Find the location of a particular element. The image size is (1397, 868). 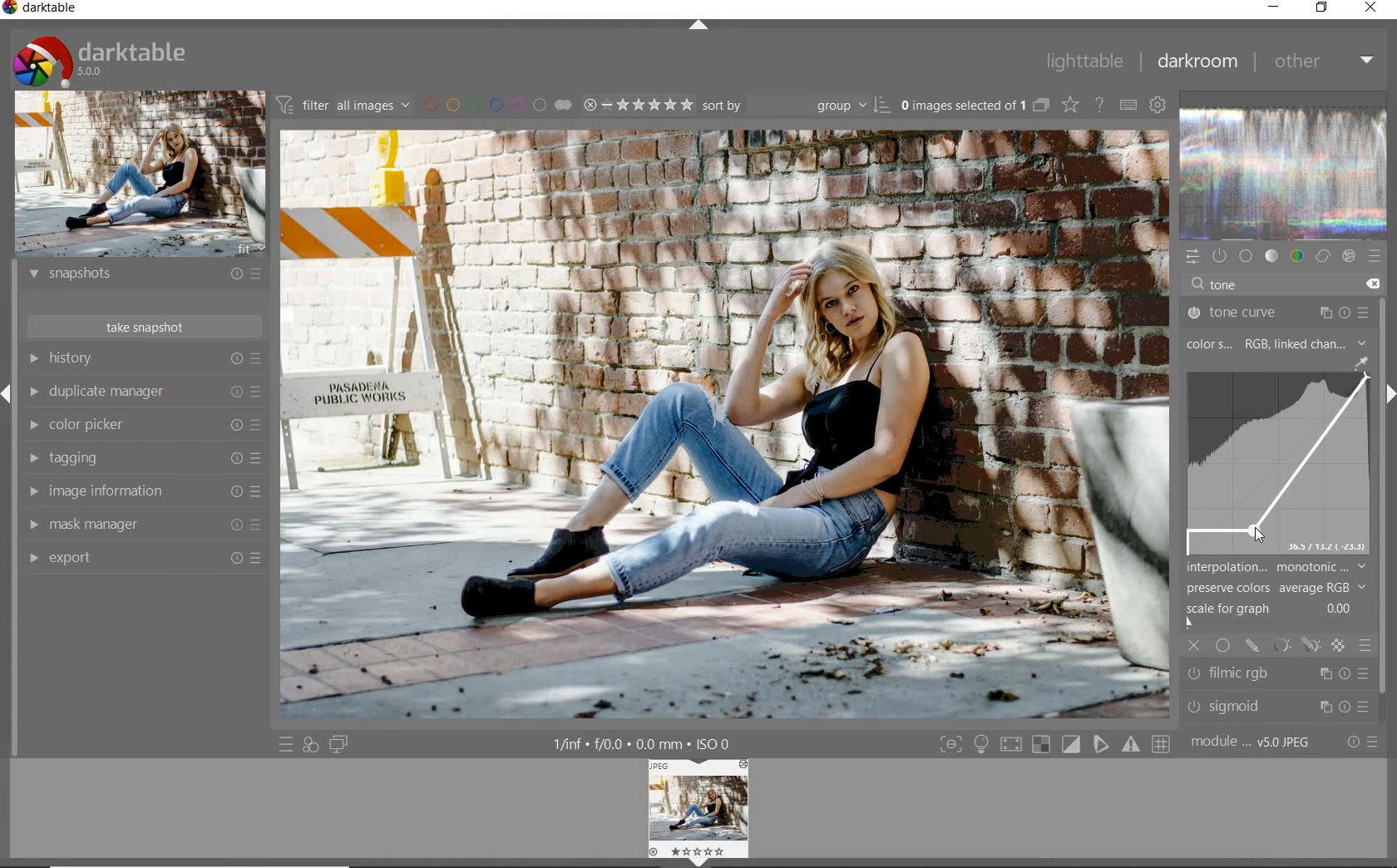

tone is located at coordinates (1227, 284).